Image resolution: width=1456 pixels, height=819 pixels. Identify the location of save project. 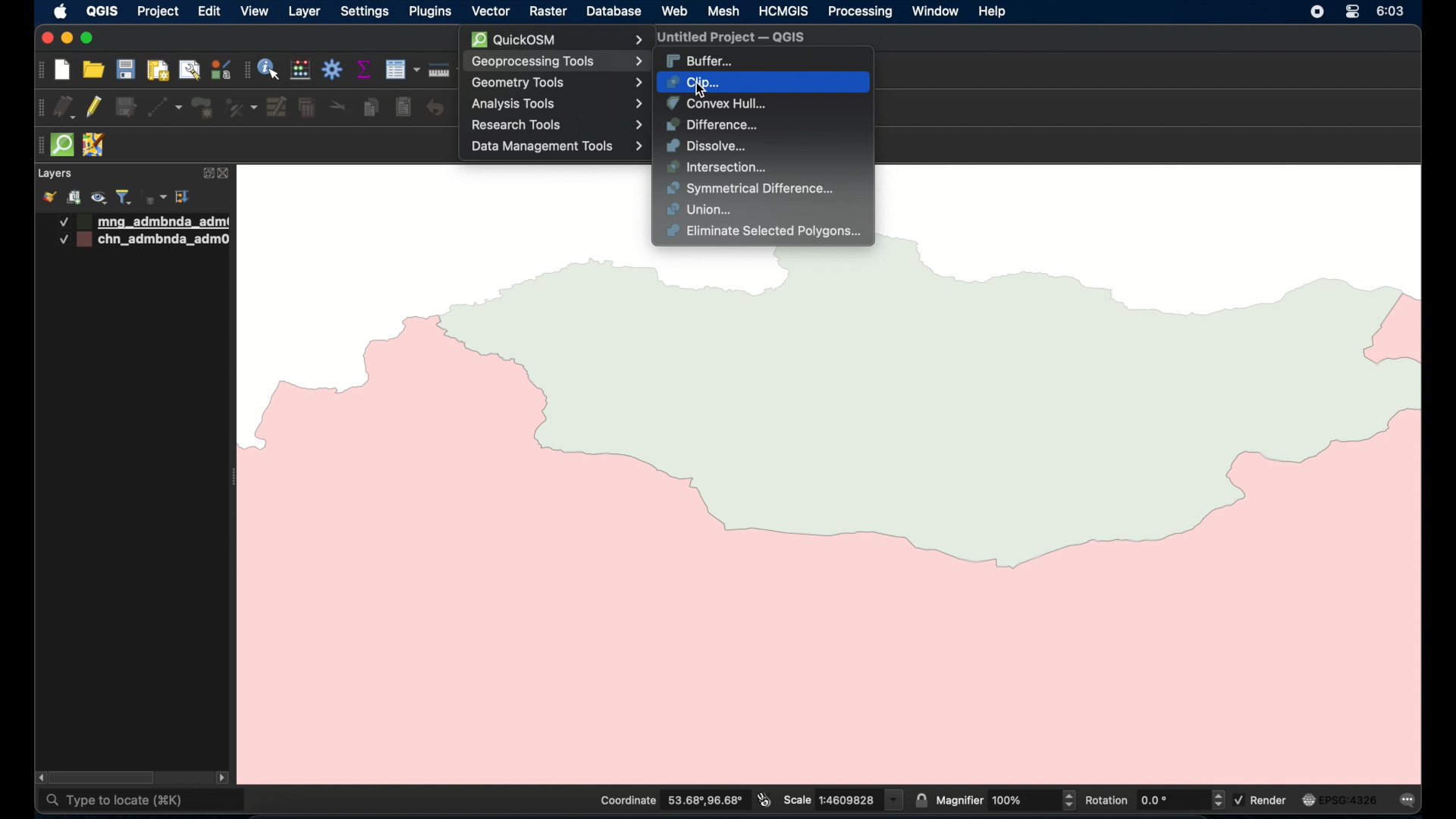
(125, 69).